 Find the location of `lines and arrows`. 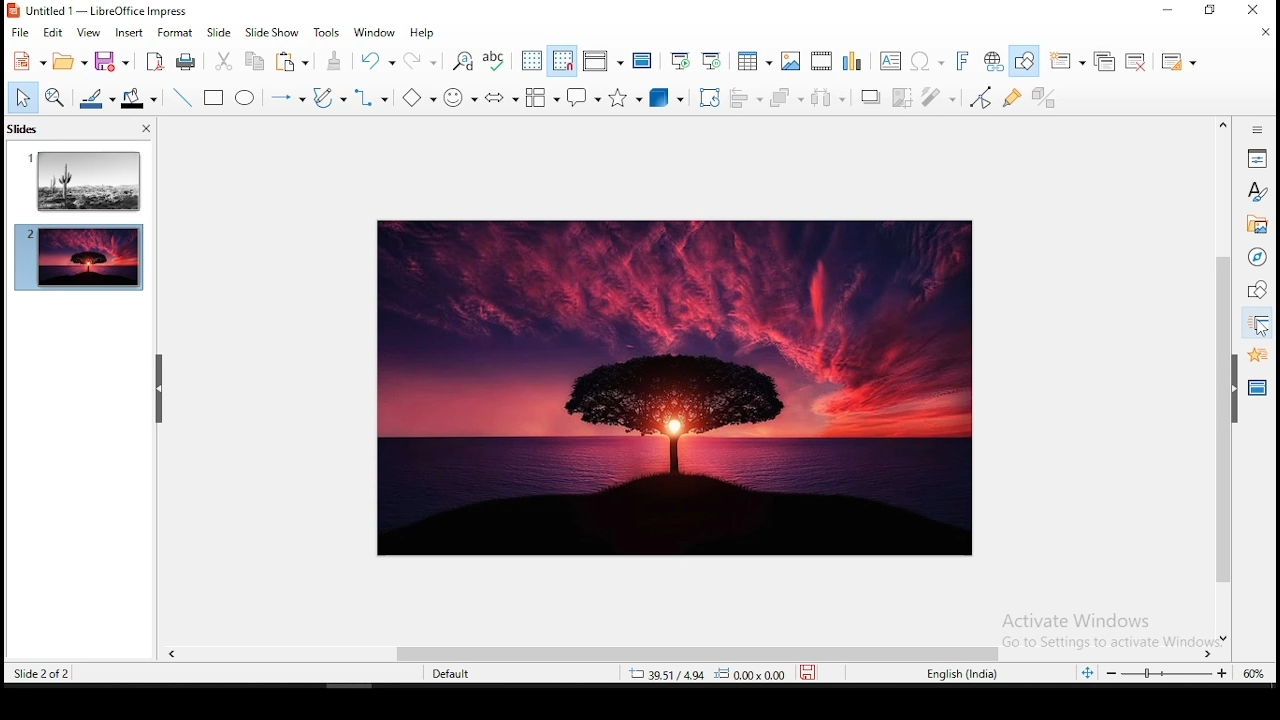

lines and arrows is located at coordinates (288, 99).